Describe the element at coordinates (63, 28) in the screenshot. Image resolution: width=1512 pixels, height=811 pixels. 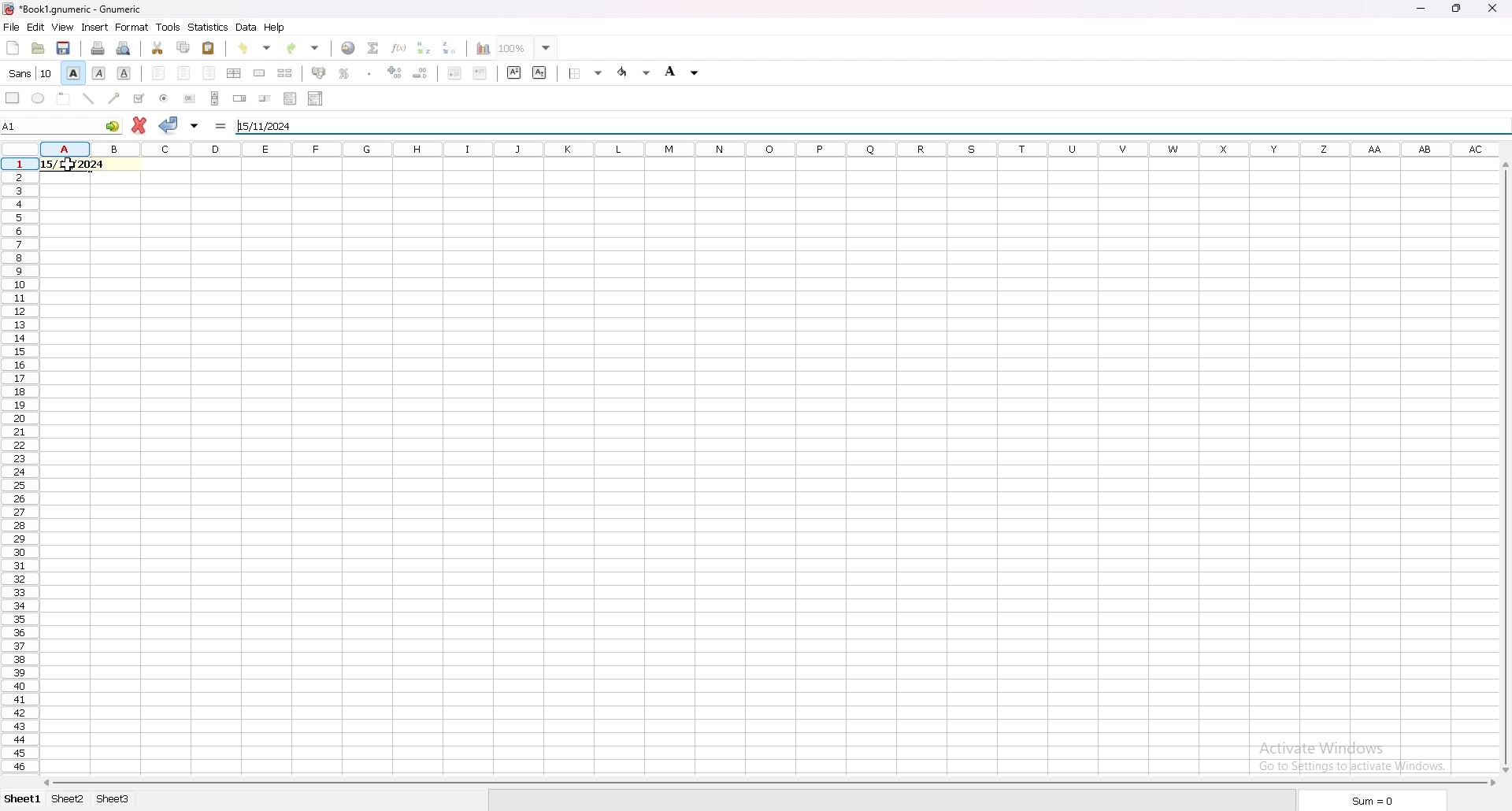
I see `view` at that location.